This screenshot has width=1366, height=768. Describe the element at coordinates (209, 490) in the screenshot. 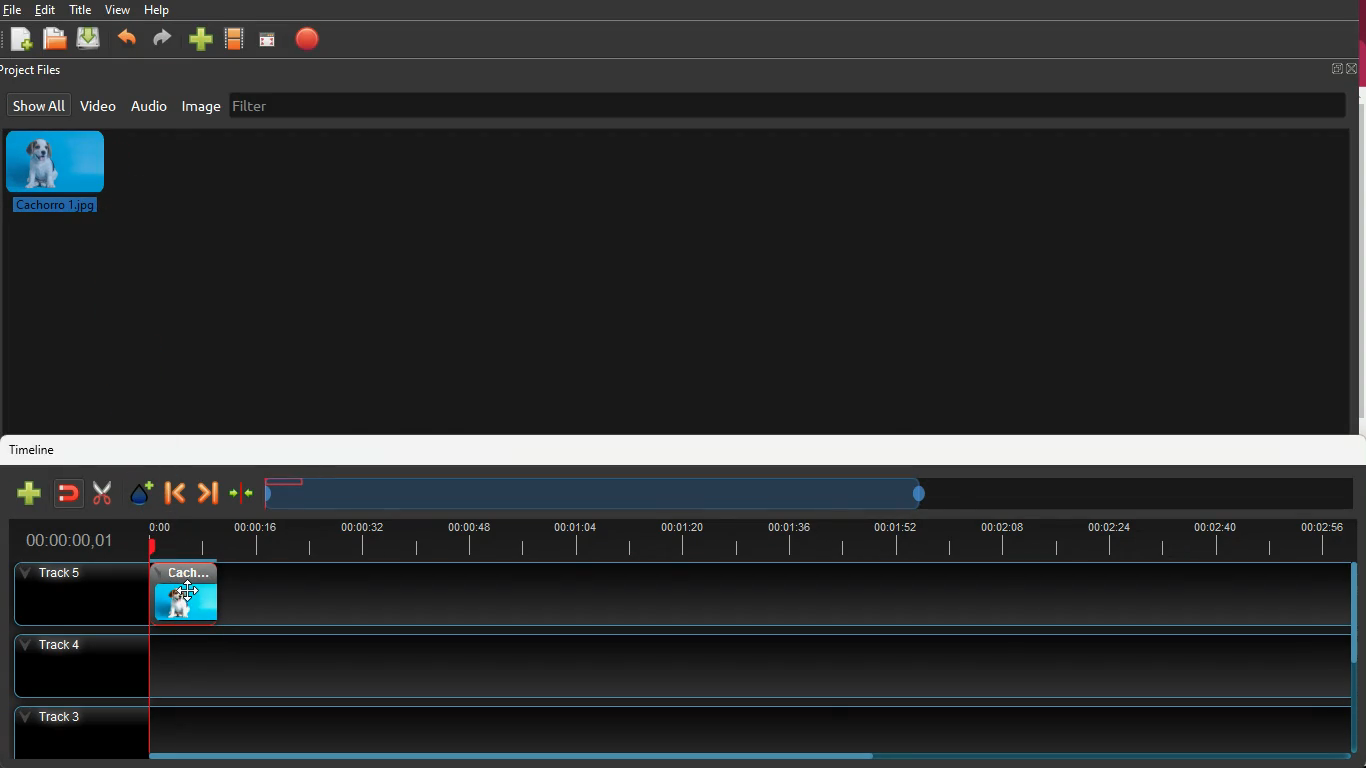

I see `forward` at that location.